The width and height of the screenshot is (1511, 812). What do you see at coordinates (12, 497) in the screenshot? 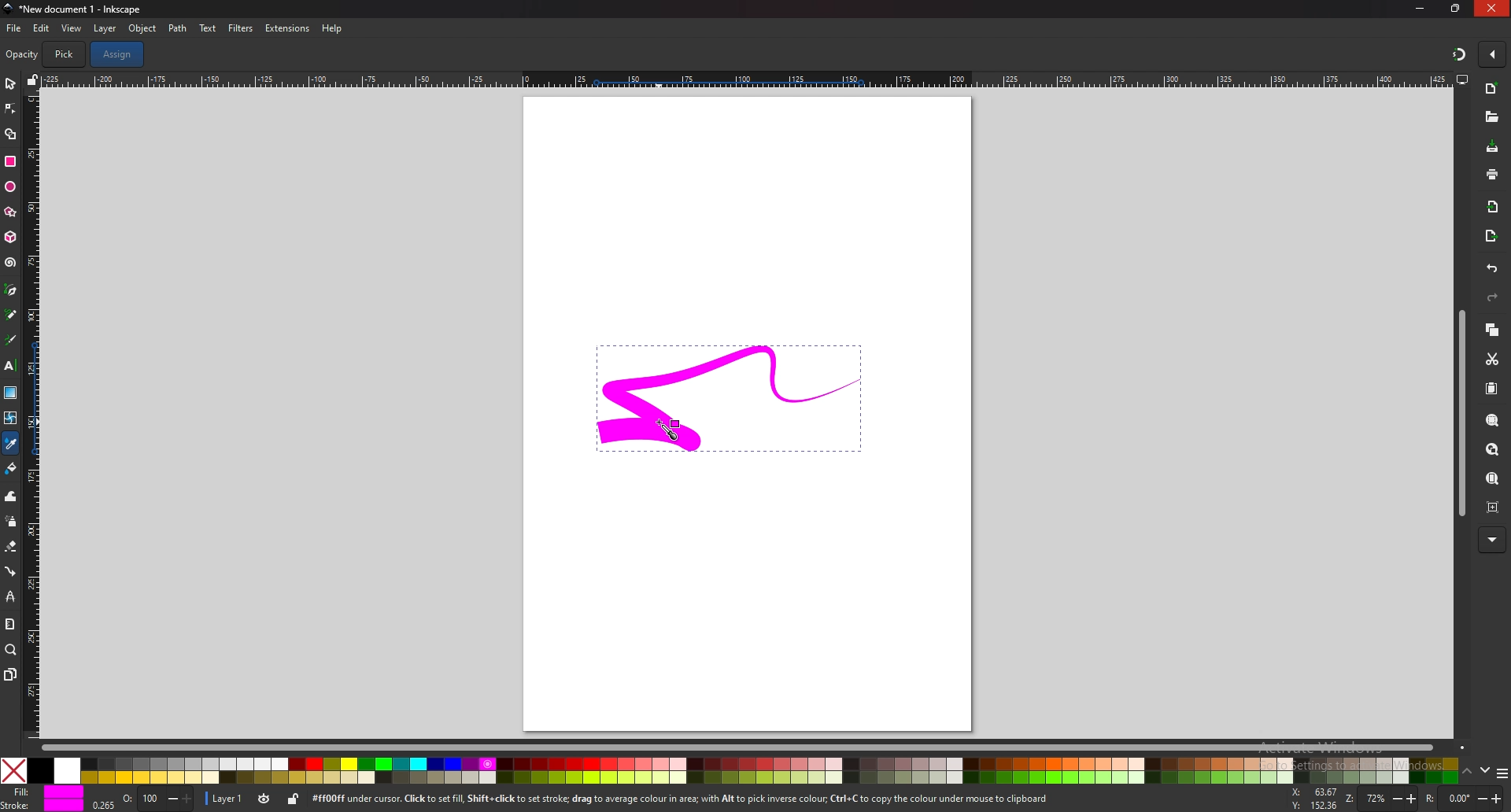
I see `tweak` at bounding box center [12, 497].